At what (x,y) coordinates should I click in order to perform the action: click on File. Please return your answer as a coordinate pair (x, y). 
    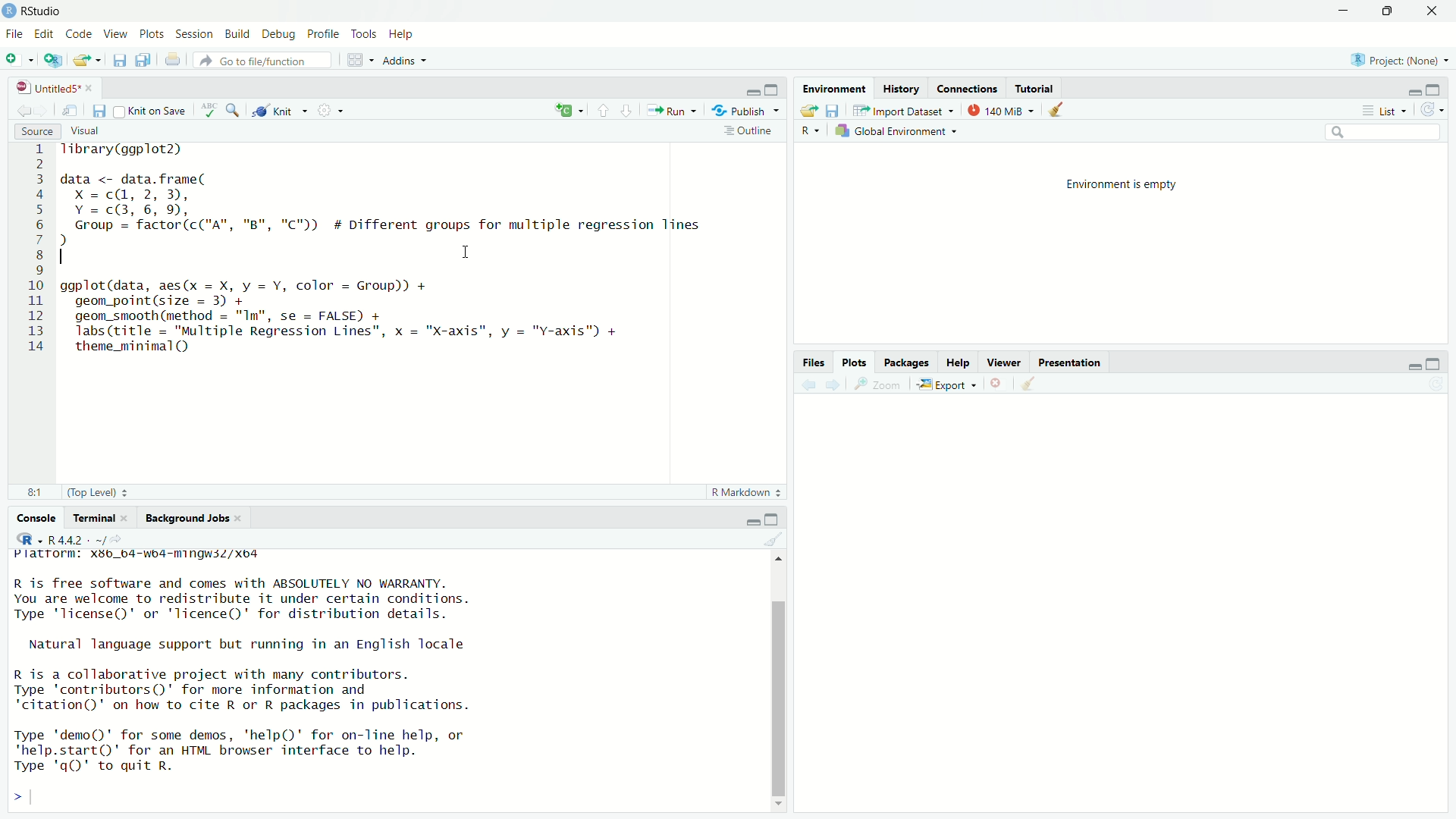
    Looking at the image, I should click on (17, 34).